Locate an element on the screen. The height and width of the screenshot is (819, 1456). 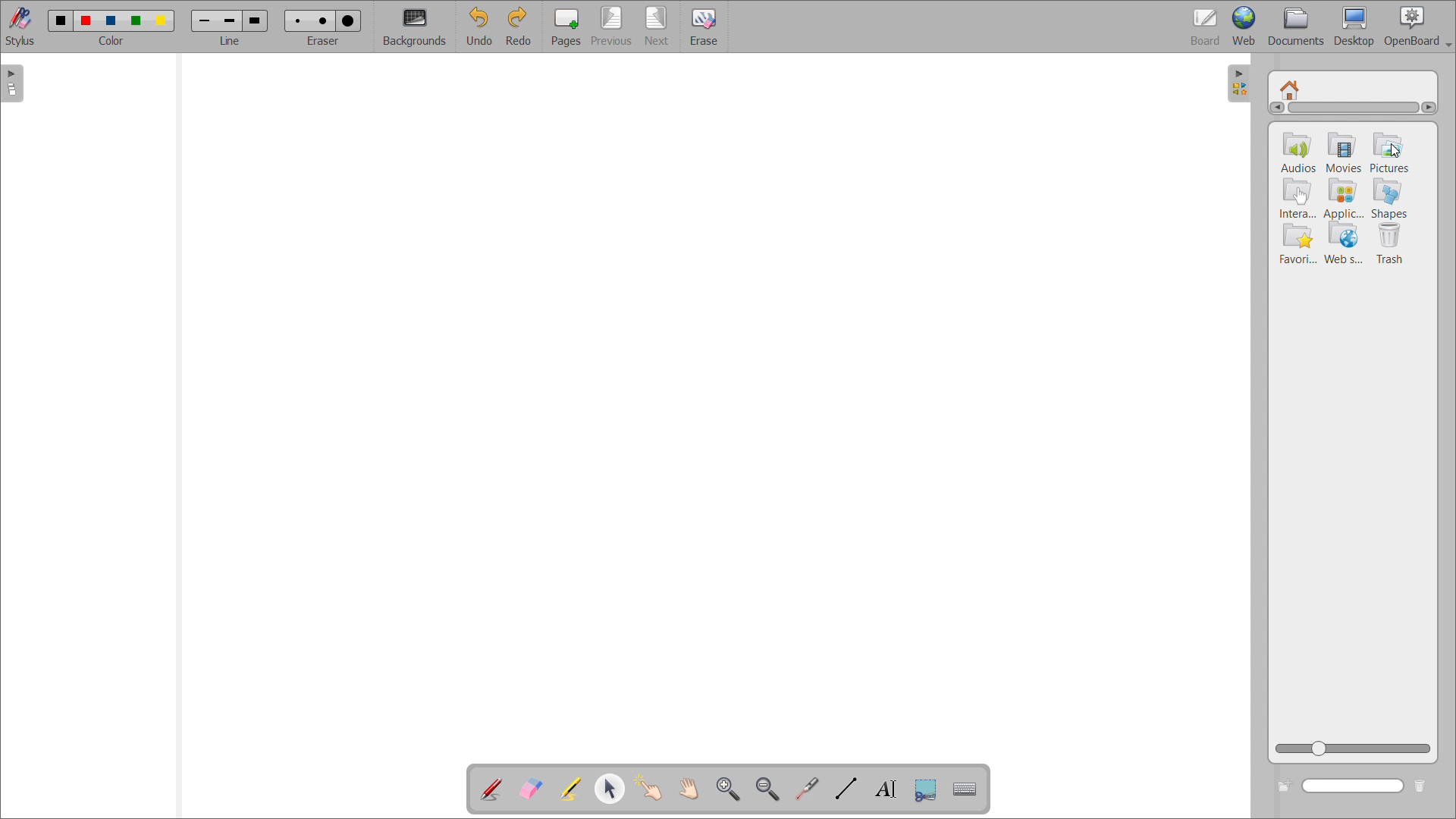
web services is located at coordinates (1345, 243).